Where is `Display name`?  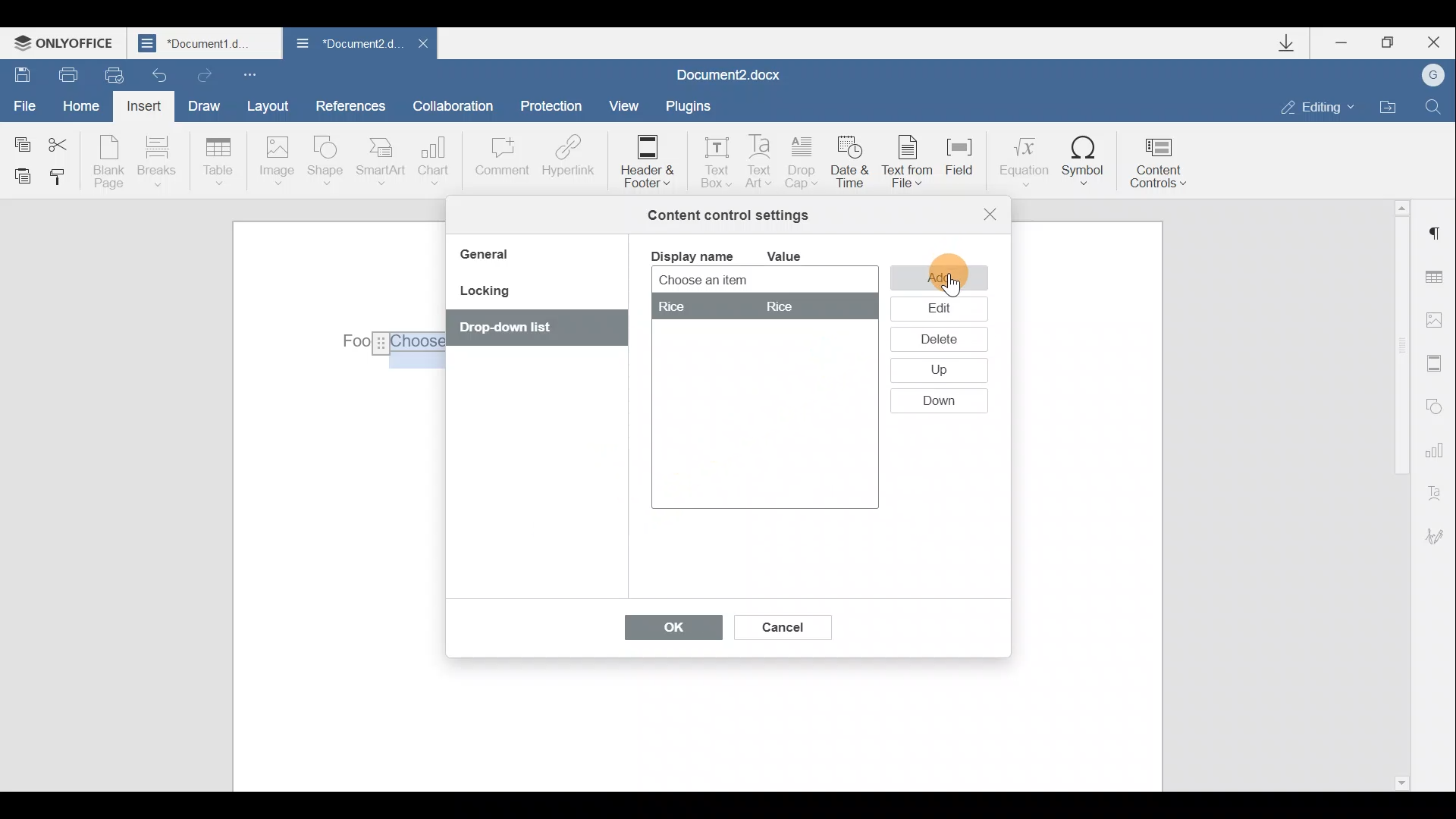 Display name is located at coordinates (691, 255).